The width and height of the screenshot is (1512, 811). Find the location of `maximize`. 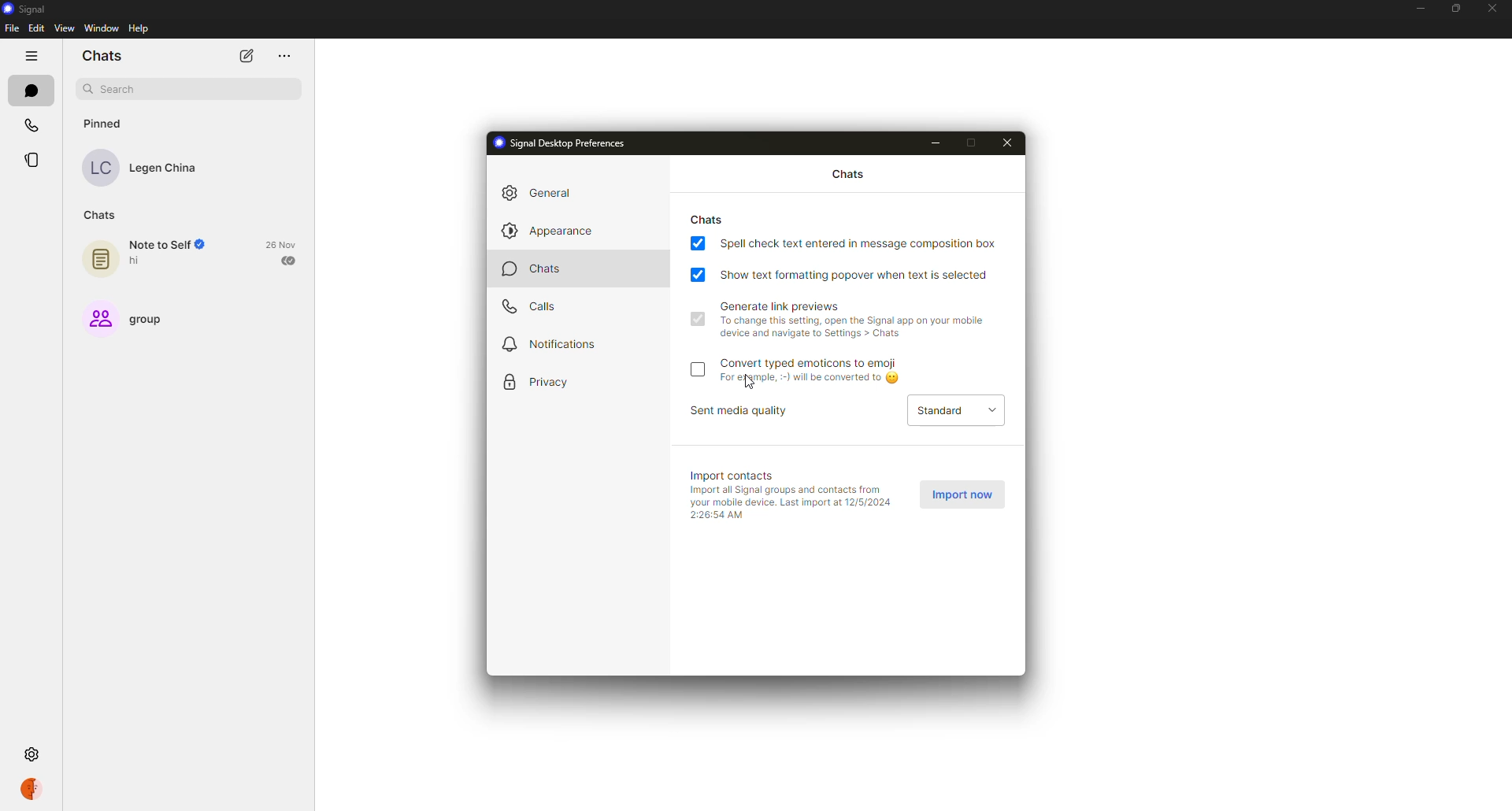

maximize is located at coordinates (1453, 9).